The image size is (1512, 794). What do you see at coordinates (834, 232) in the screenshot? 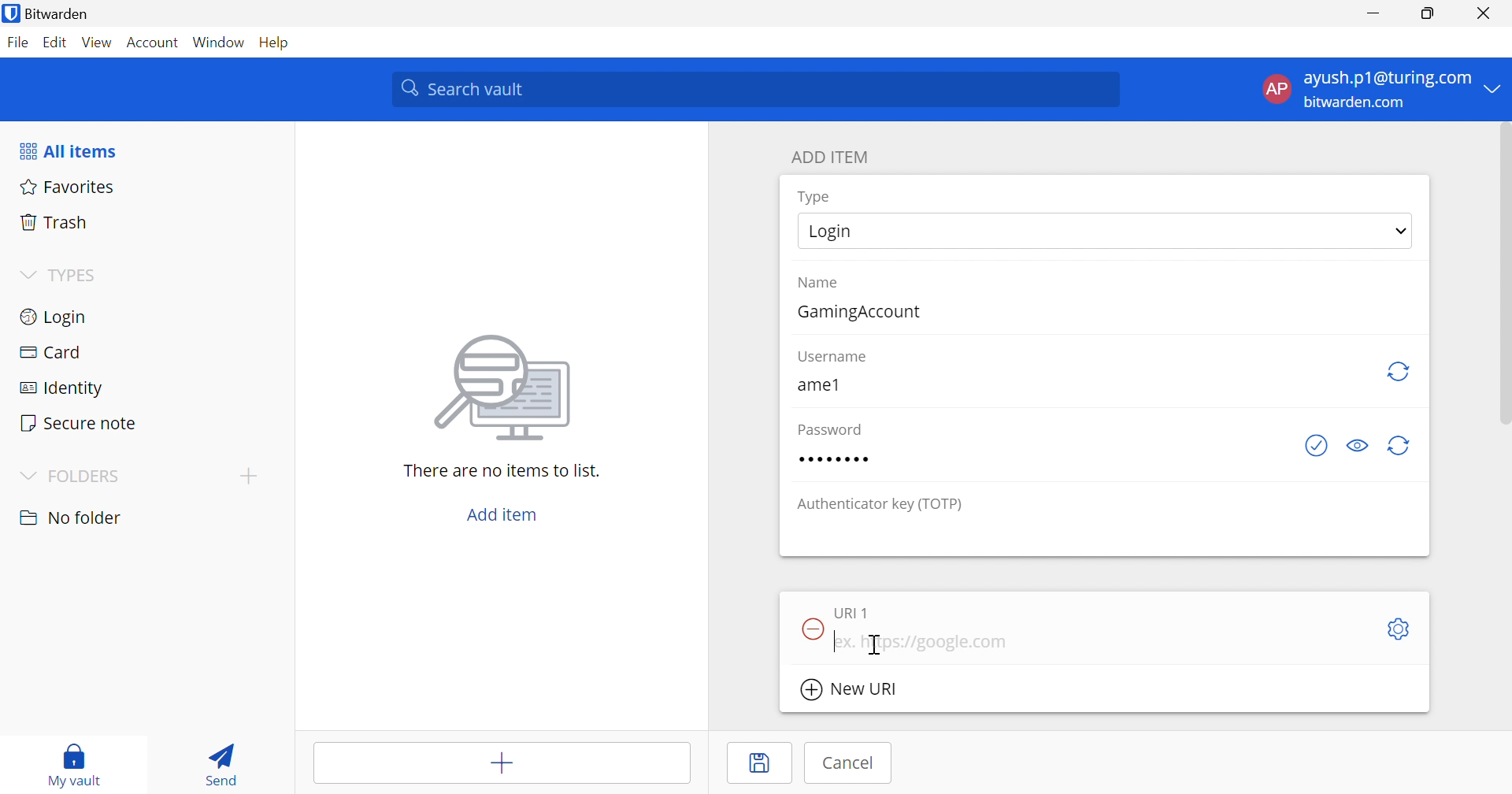
I see `Login` at bounding box center [834, 232].